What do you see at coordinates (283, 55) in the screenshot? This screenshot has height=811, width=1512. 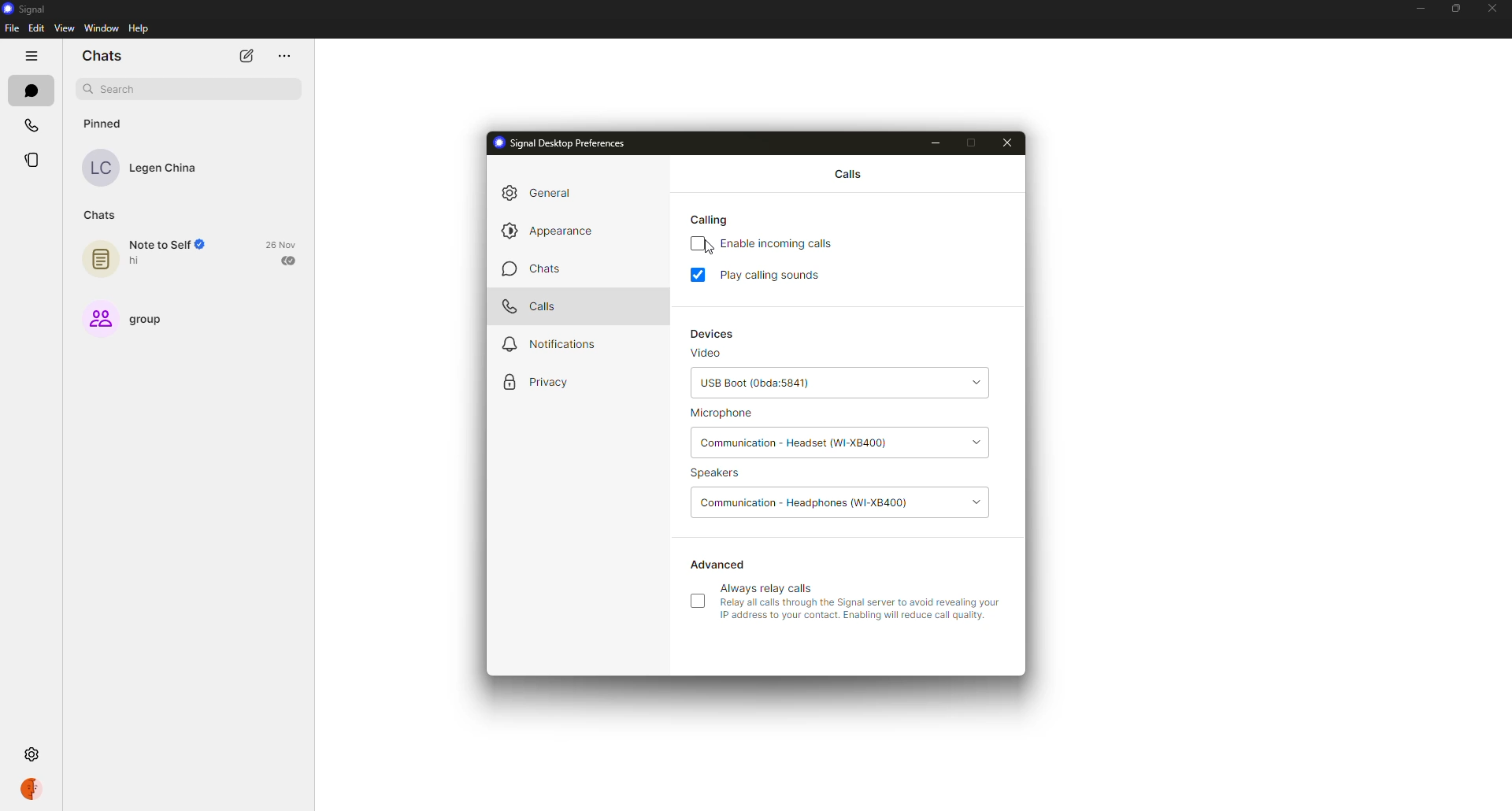 I see `more` at bounding box center [283, 55].